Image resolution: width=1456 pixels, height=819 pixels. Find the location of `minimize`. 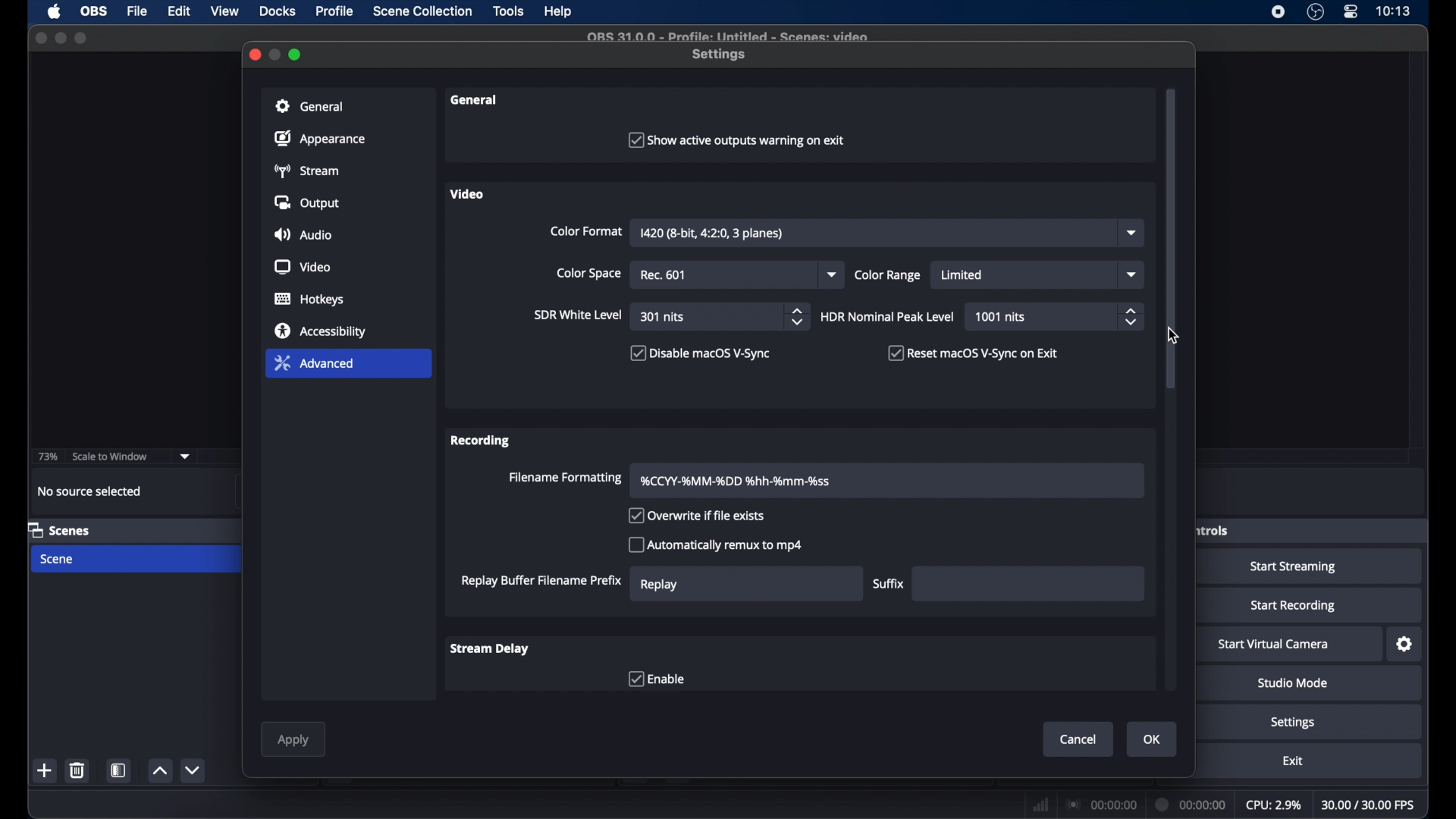

minimize is located at coordinates (276, 54).